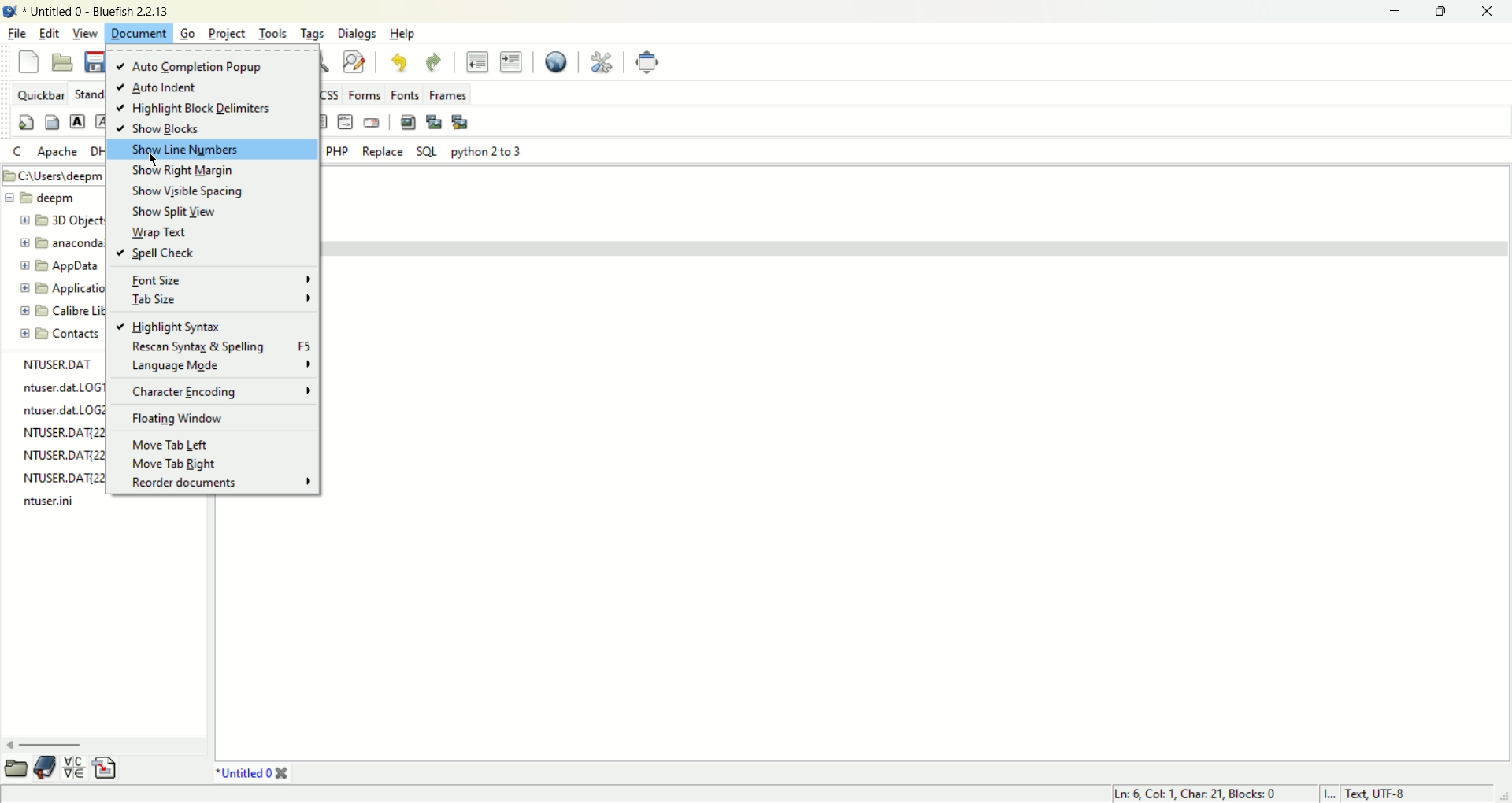 The height and width of the screenshot is (803, 1512). What do you see at coordinates (368, 95) in the screenshot?
I see `forms` at bounding box center [368, 95].